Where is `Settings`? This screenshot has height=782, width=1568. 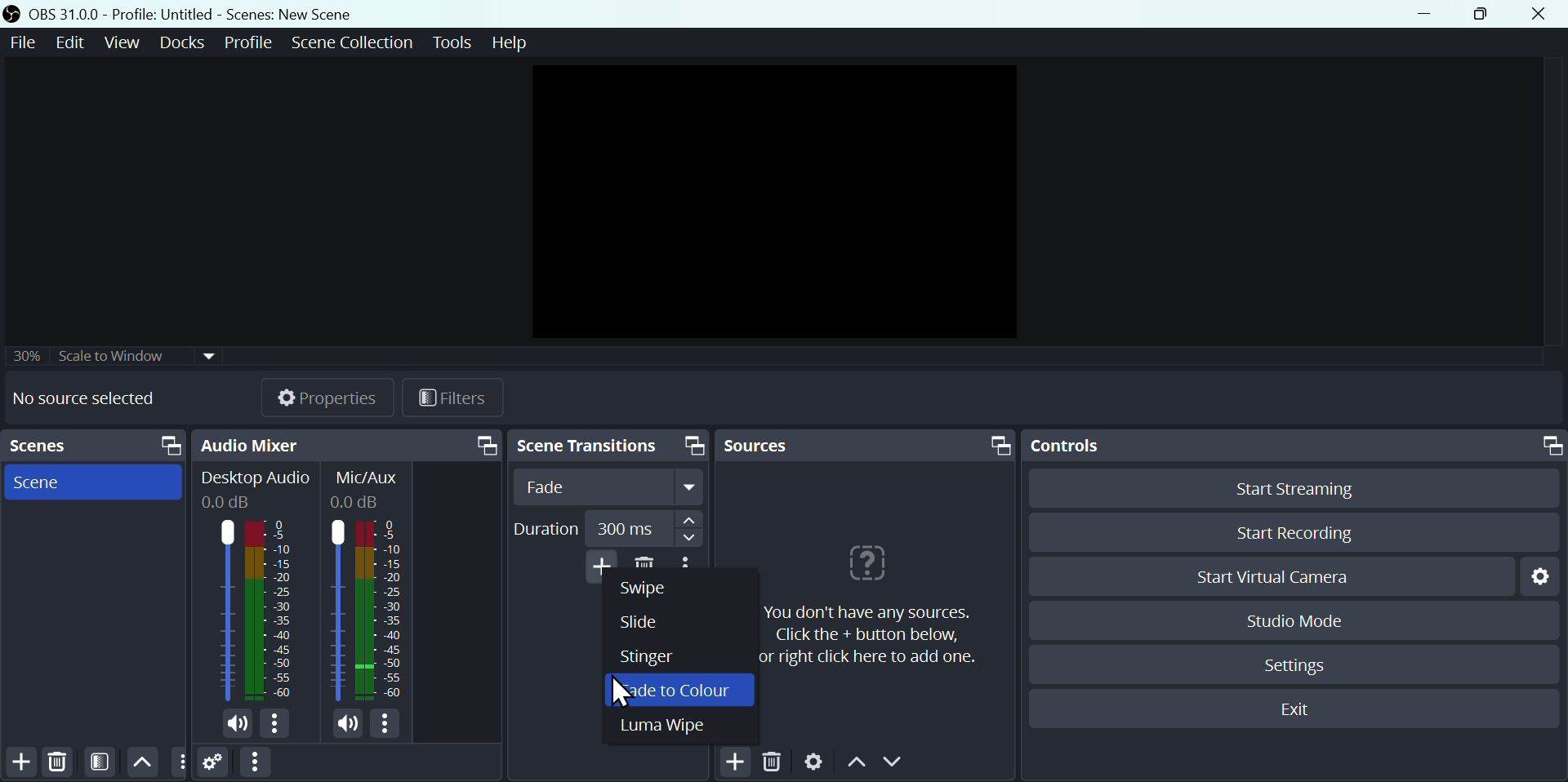 Settings is located at coordinates (813, 763).